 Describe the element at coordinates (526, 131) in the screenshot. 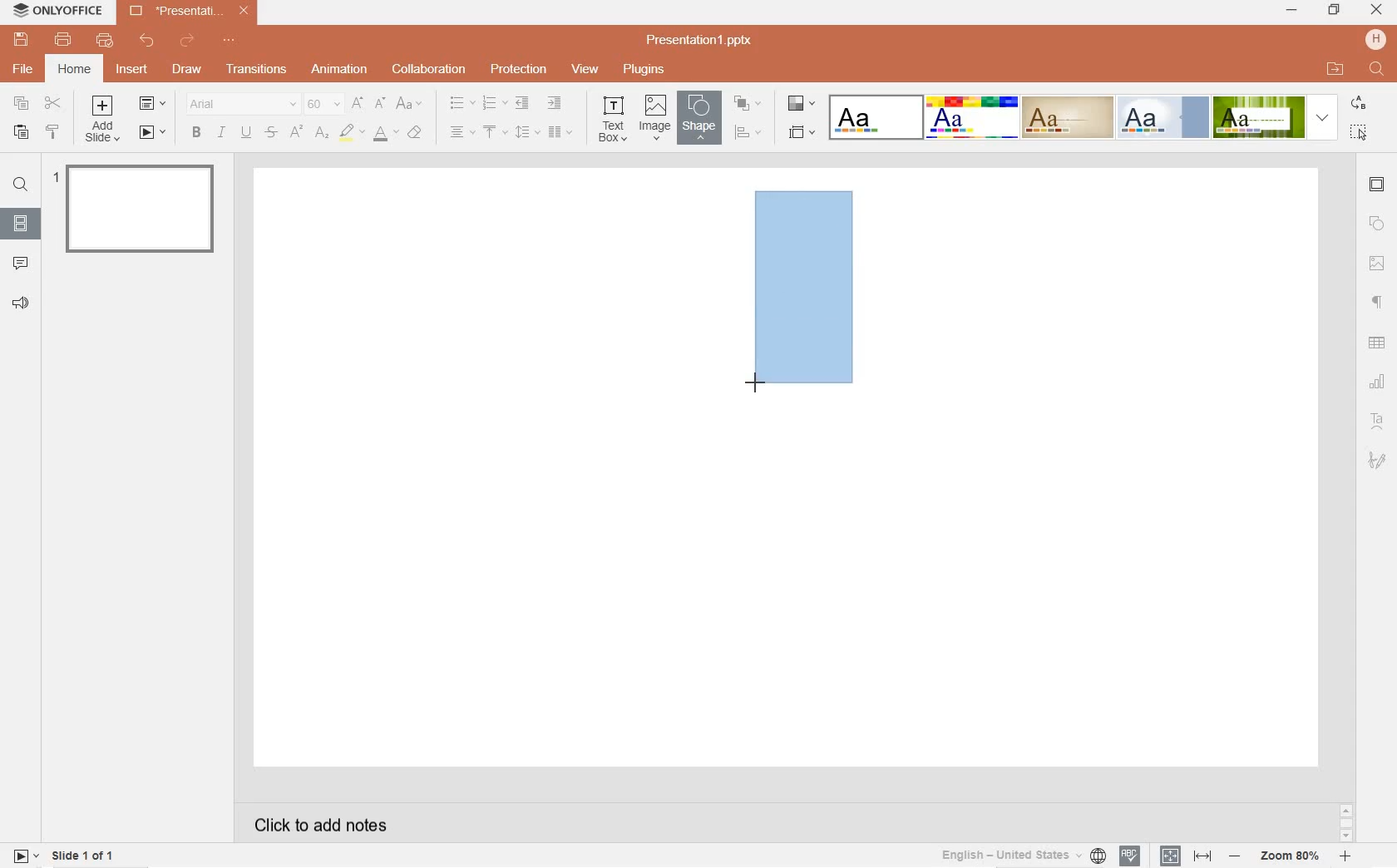

I see `line spacing` at that location.